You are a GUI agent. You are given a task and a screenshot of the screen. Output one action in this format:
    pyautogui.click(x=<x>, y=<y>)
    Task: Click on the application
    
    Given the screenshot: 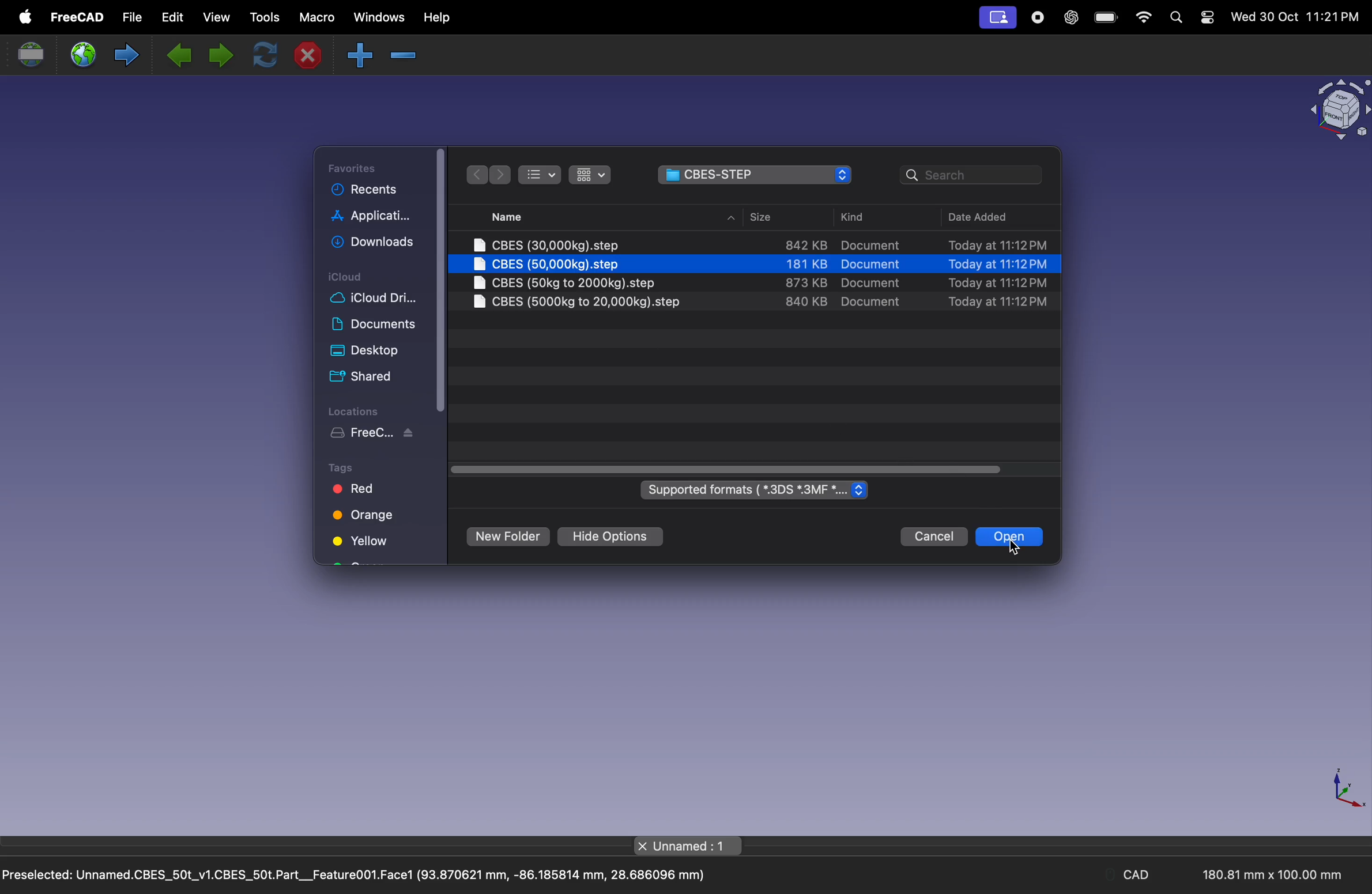 What is the action you would take?
    pyautogui.click(x=371, y=214)
    